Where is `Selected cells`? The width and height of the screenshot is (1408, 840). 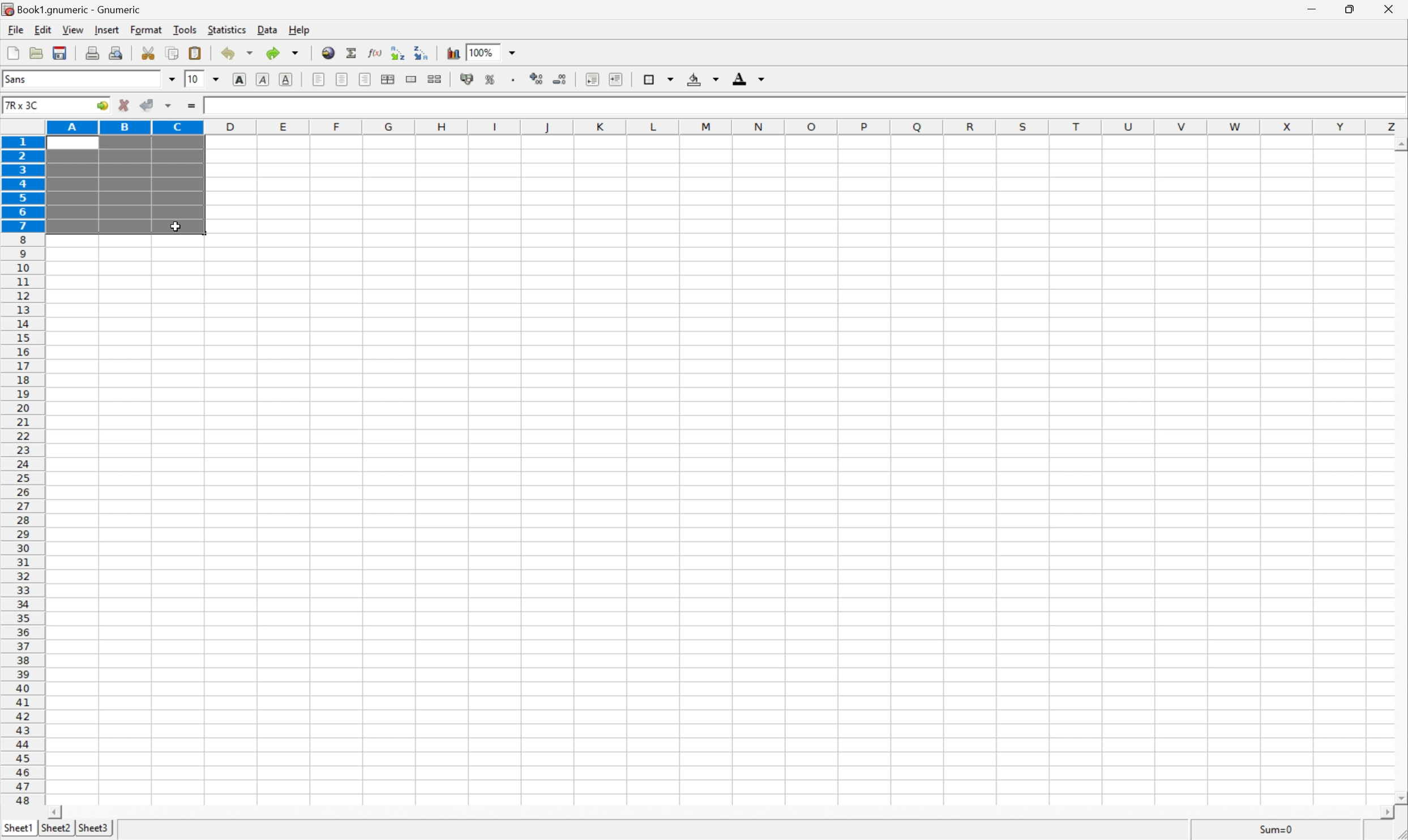 Selected cells is located at coordinates (124, 186).